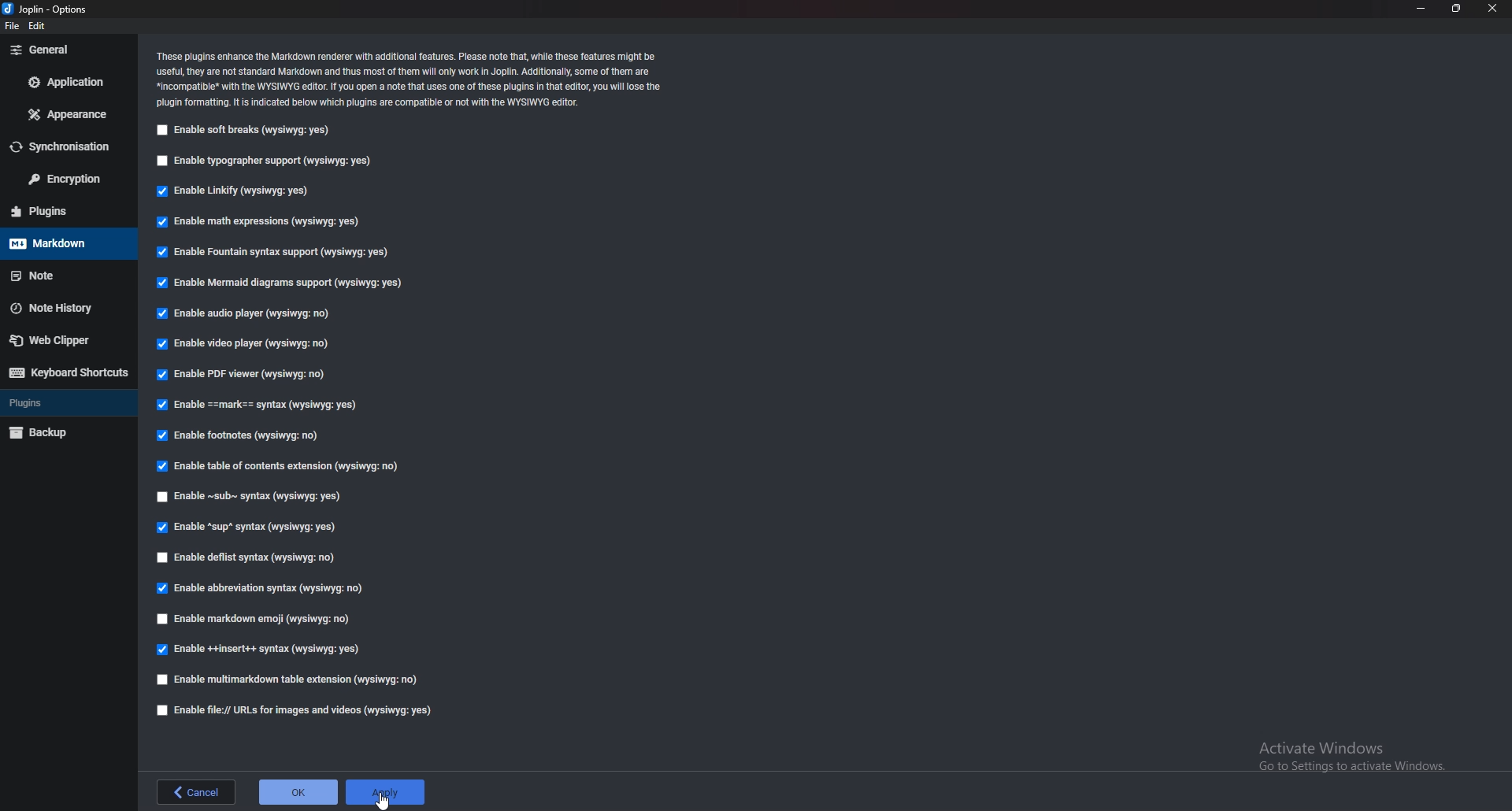 Image resolution: width=1512 pixels, height=811 pixels. What do you see at coordinates (46, 8) in the screenshot?
I see `options` at bounding box center [46, 8].